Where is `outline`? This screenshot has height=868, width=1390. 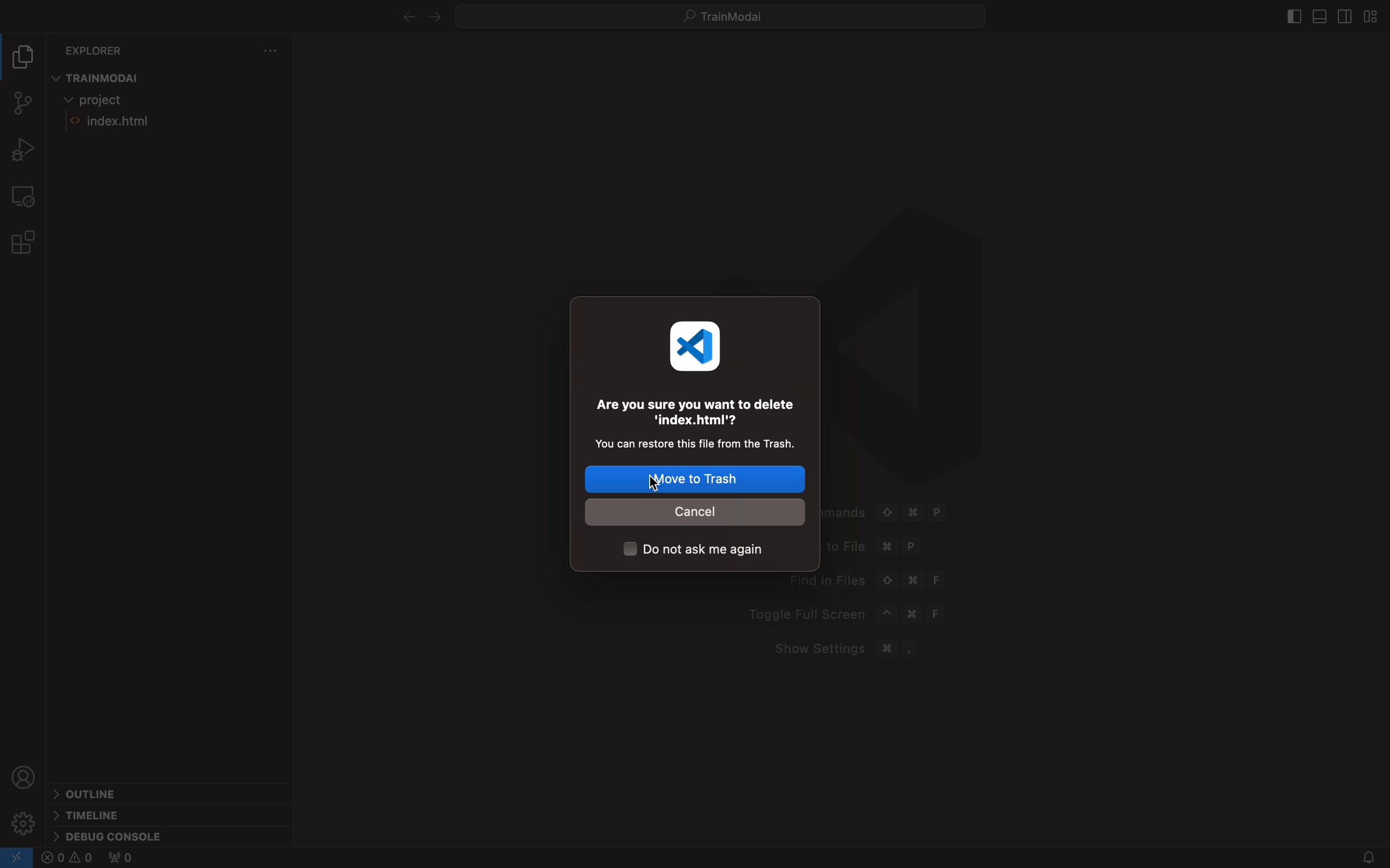
outline is located at coordinates (95, 793).